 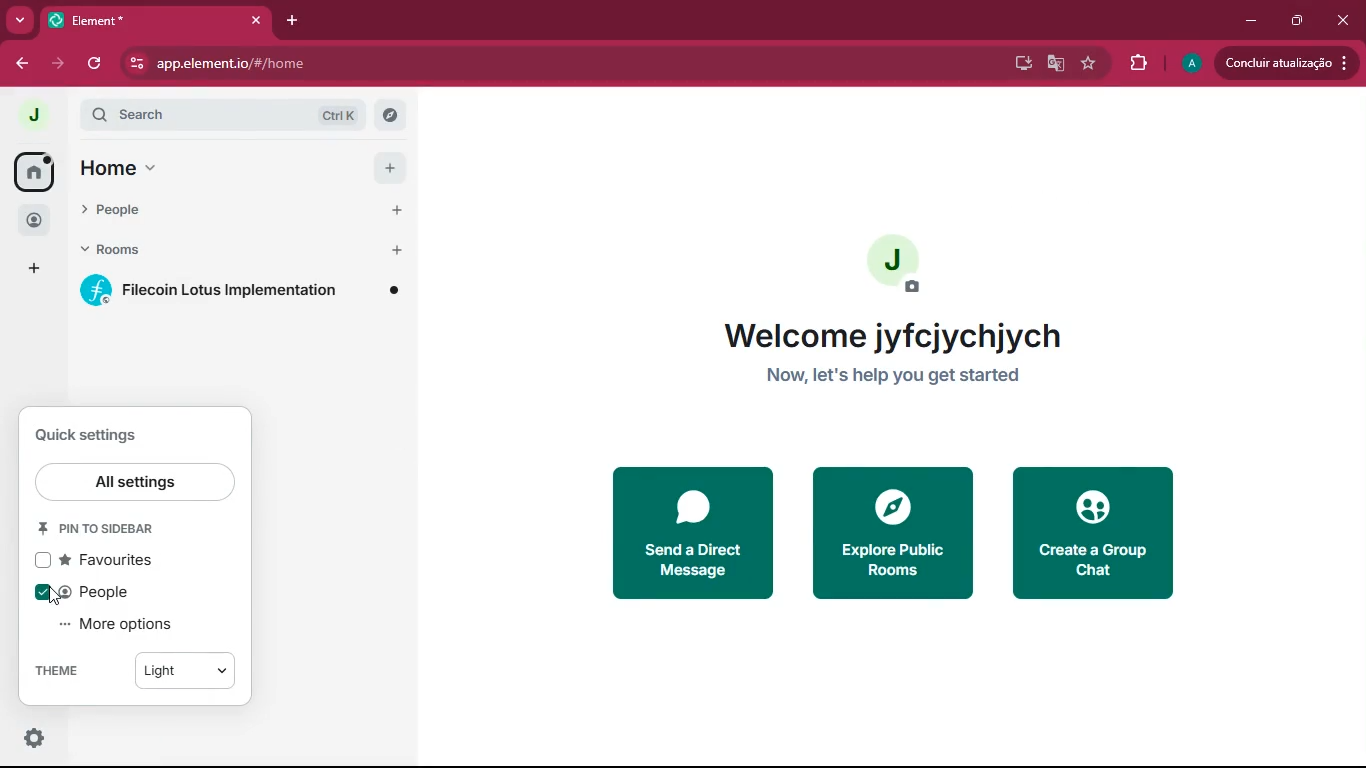 I want to click on quick settings, so click(x=108, y=434).